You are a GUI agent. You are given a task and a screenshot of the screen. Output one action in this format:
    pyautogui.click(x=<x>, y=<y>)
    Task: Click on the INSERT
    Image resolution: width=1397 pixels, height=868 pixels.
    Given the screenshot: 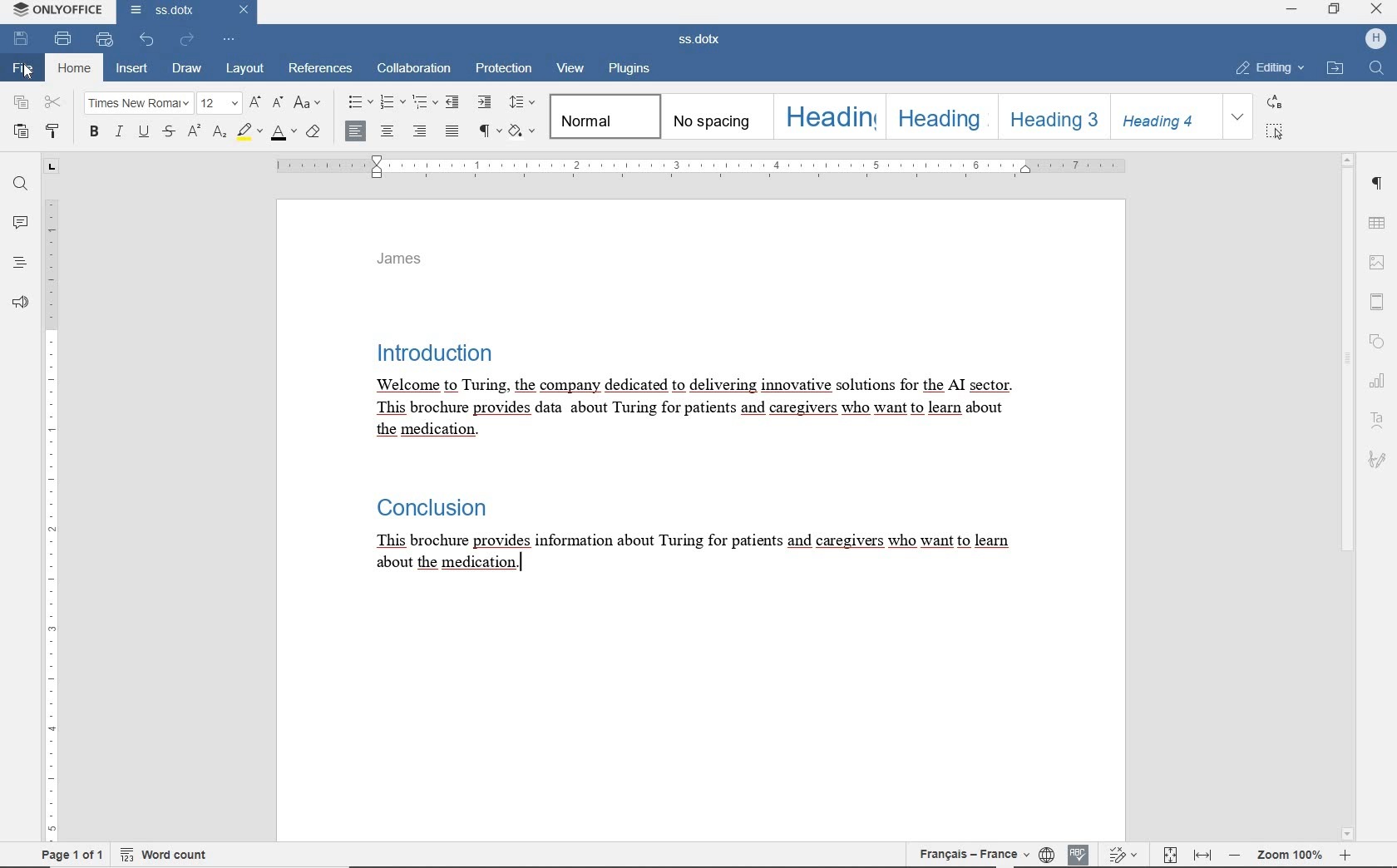 What is the action you would take?
    pyautogui.click(x=131, y=70)
    